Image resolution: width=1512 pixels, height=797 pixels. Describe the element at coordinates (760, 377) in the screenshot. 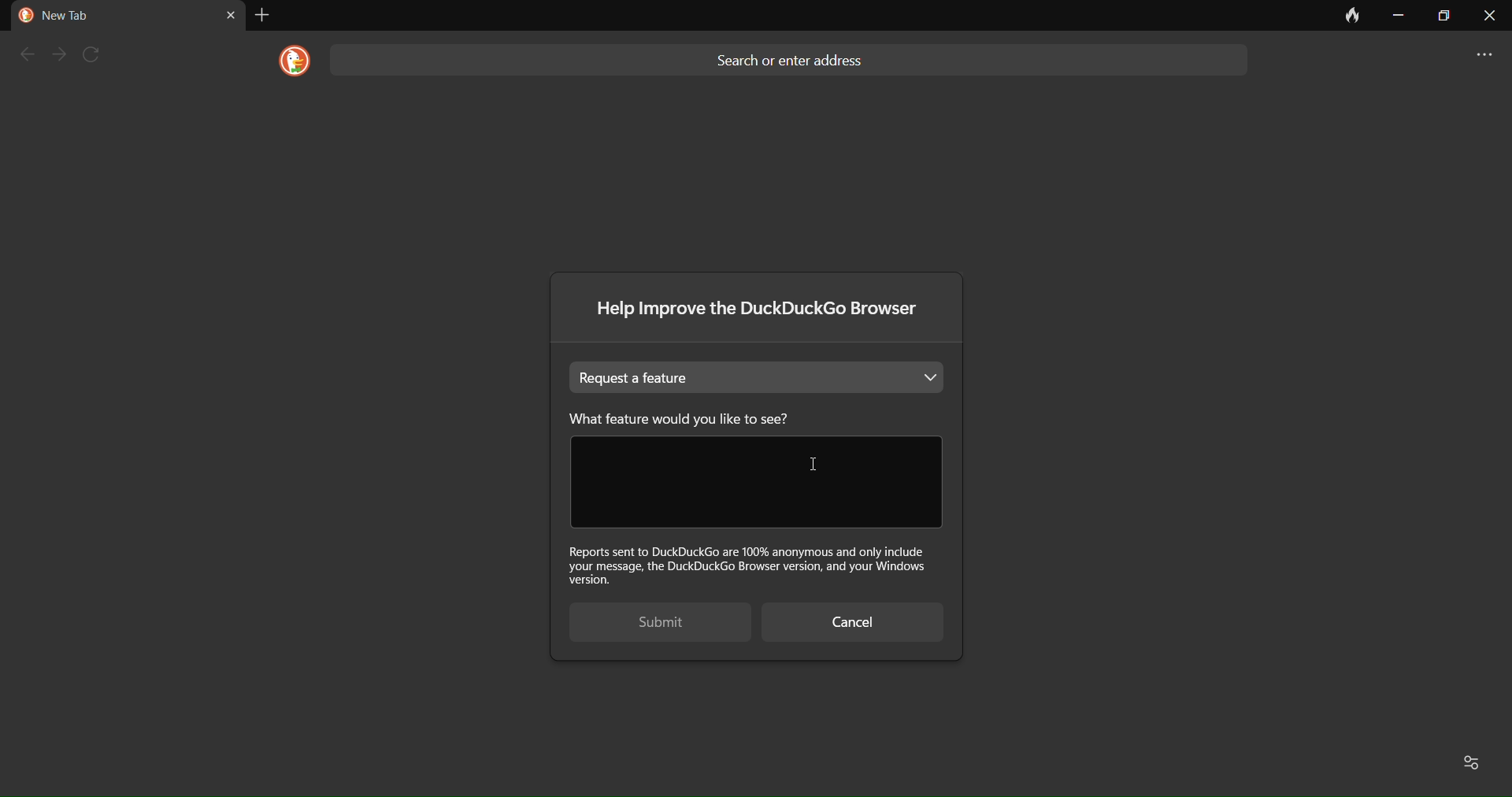

I see `request a feature ` at that location.